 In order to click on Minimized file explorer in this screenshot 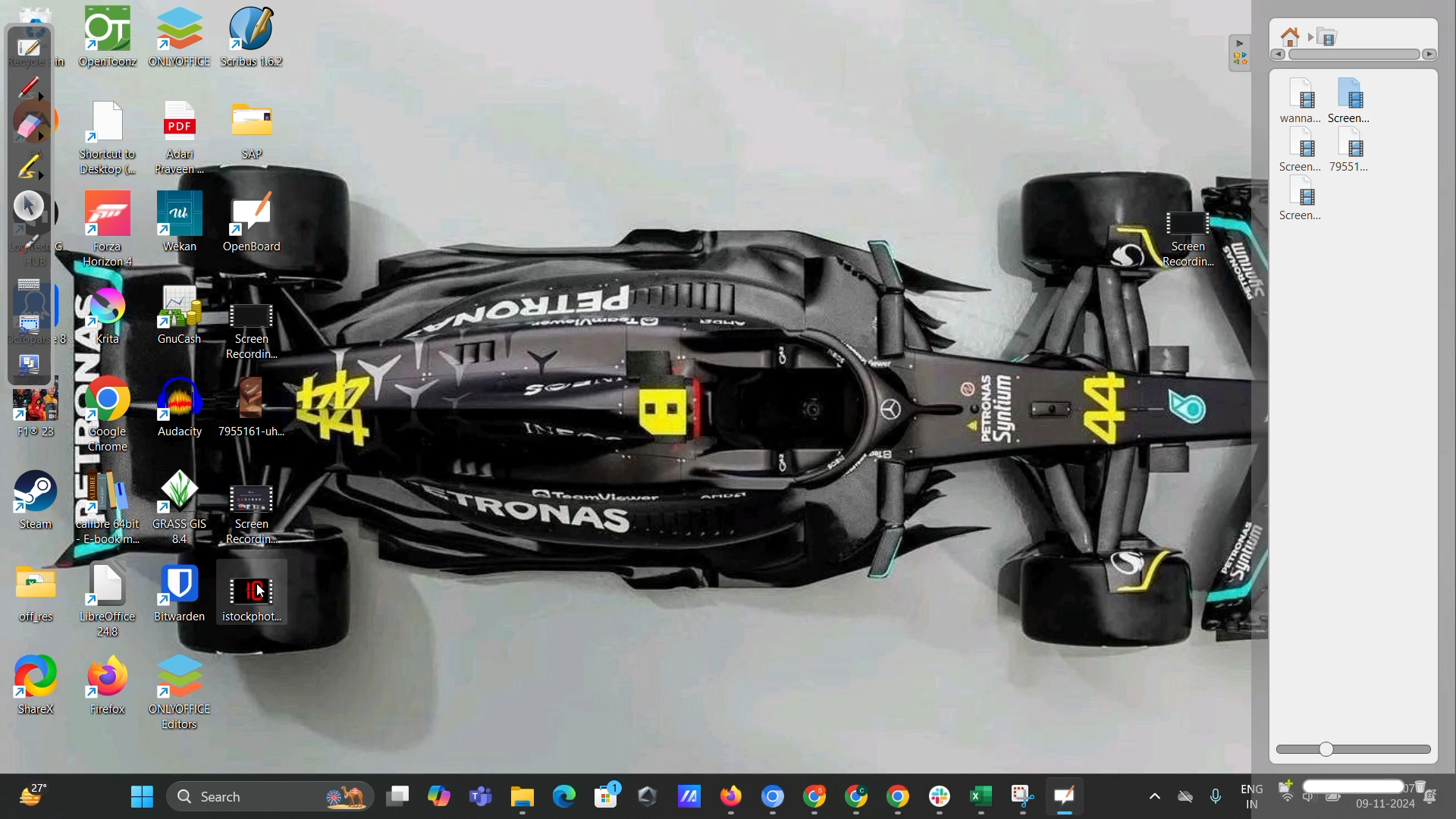, I will do `click(518, 798)`.